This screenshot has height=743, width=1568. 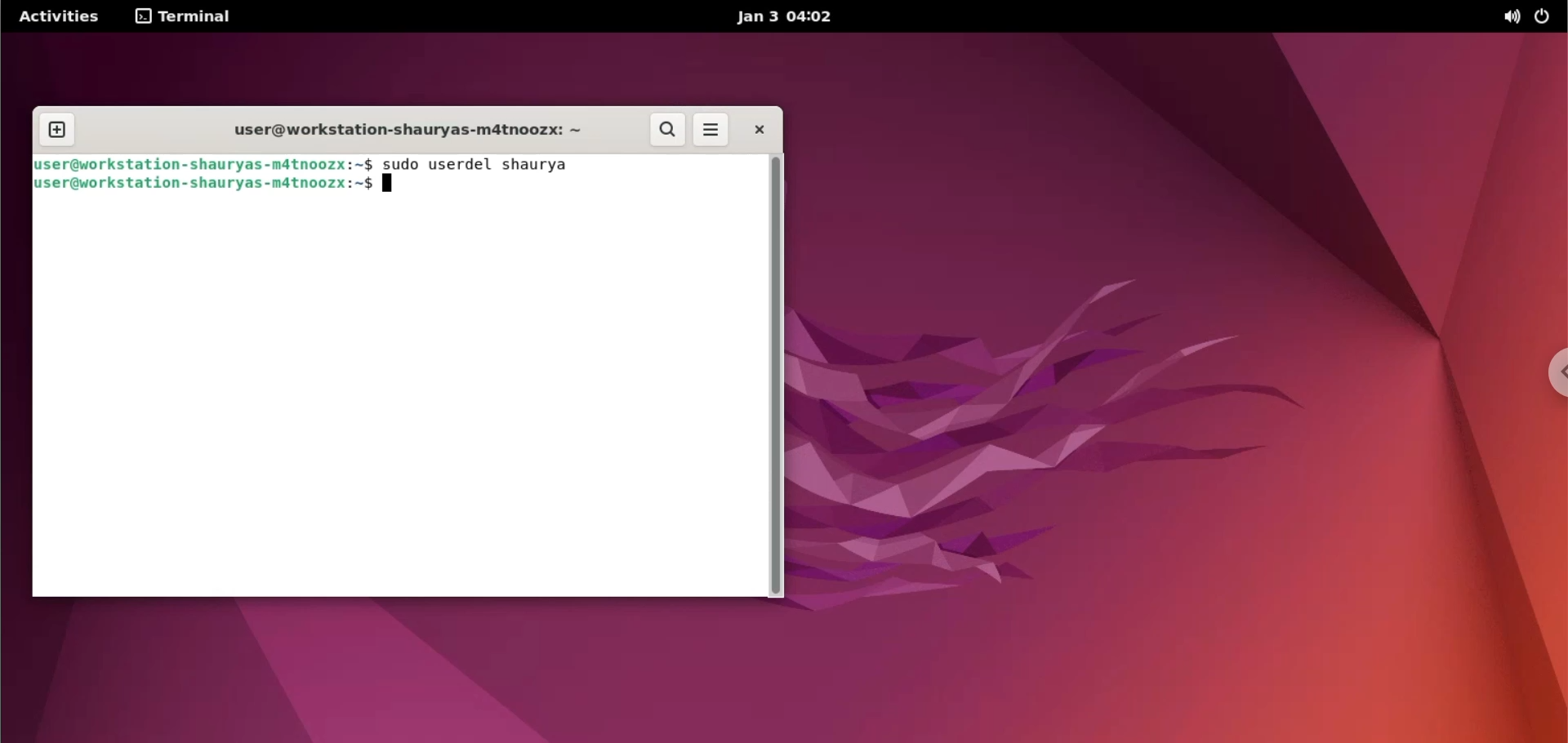 I want to click on sudo userdel shaurya, so click(x=479, y=165).